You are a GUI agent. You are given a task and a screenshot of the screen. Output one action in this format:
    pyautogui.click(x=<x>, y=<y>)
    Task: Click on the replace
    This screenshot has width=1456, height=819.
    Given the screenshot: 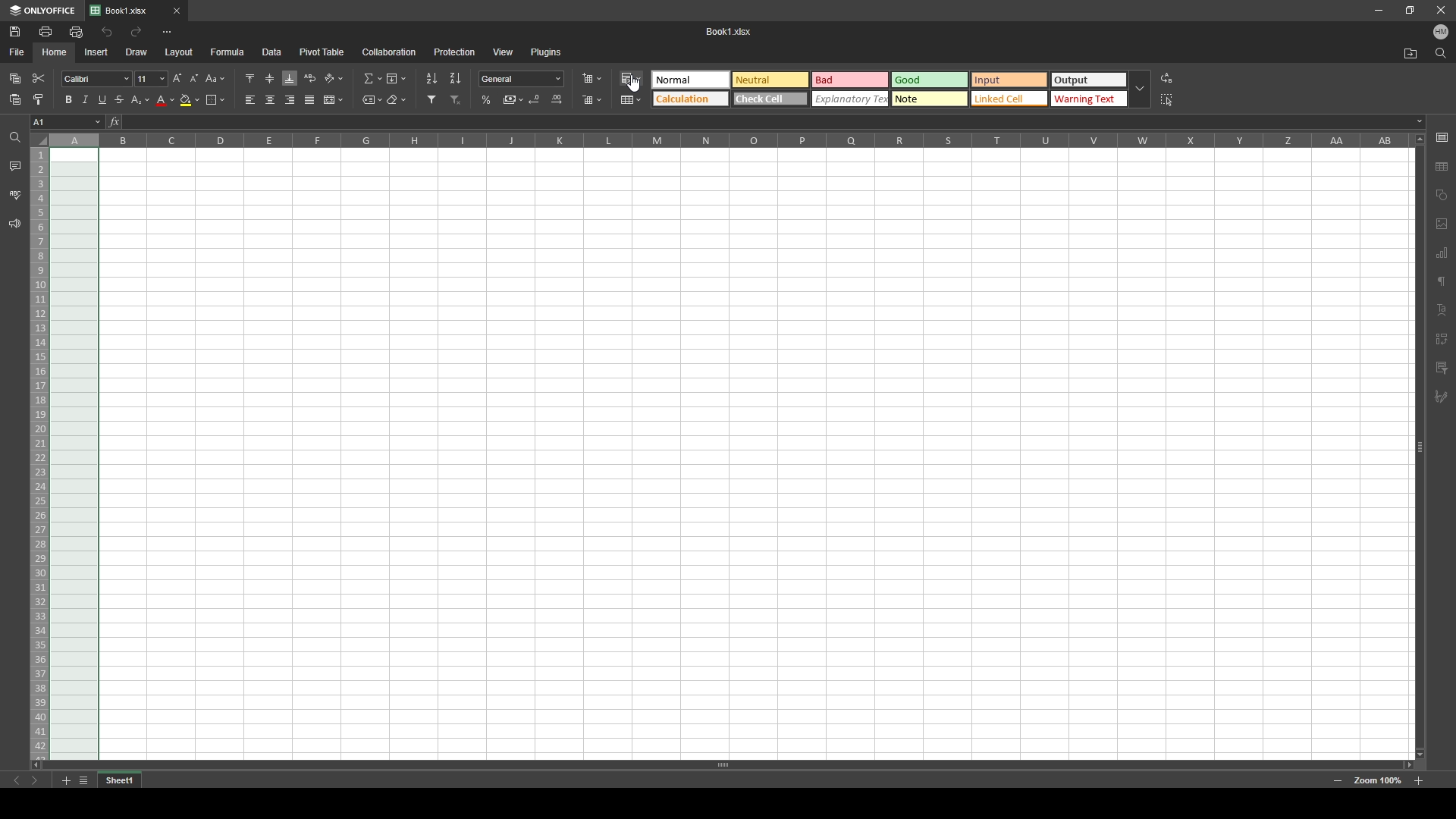 What is the action you would take?
    pyautogui.click(x=1168, y=79)
    